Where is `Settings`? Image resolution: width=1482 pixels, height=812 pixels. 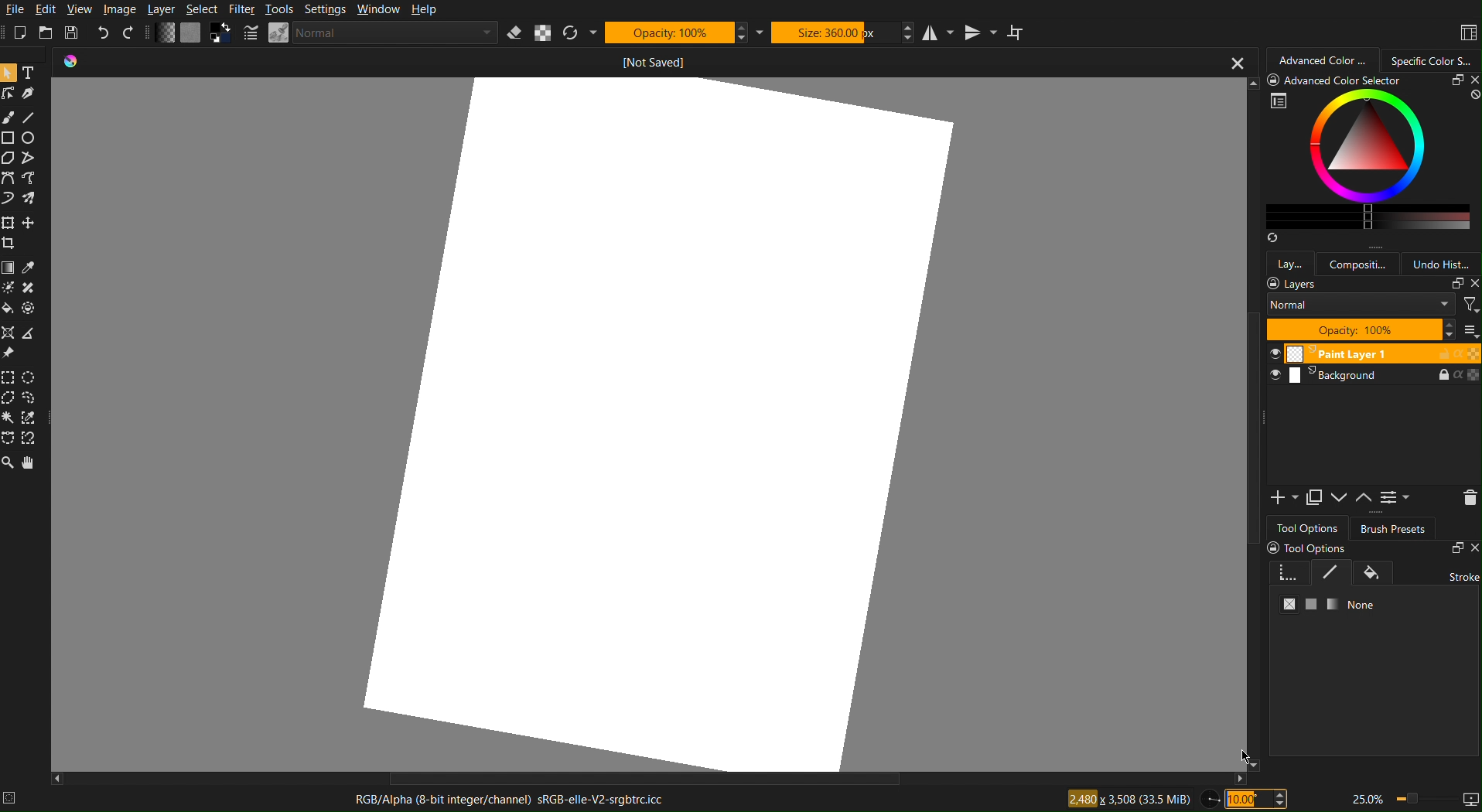 Settings is located at coordinates (327, 10).